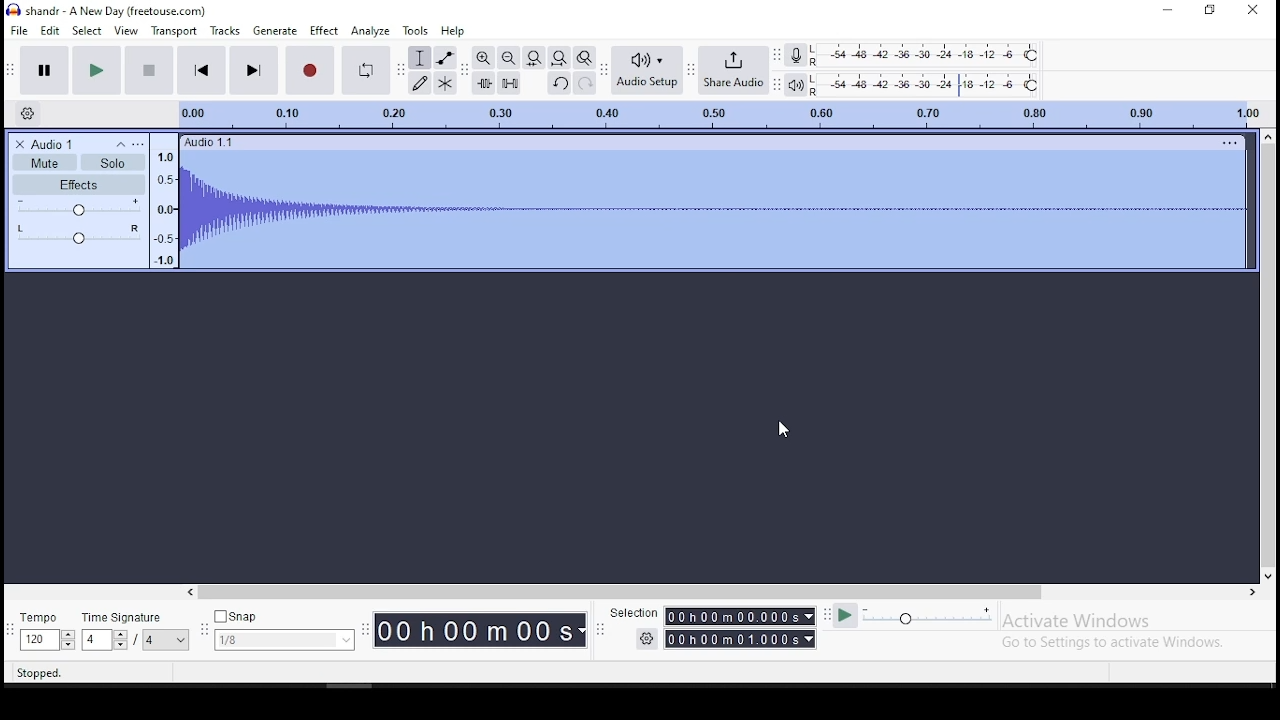 The height and width of the screenshot is (720, 1280). Describe the element at coordinates (121, 143) in the screenshot. I see `collapse` at that location.